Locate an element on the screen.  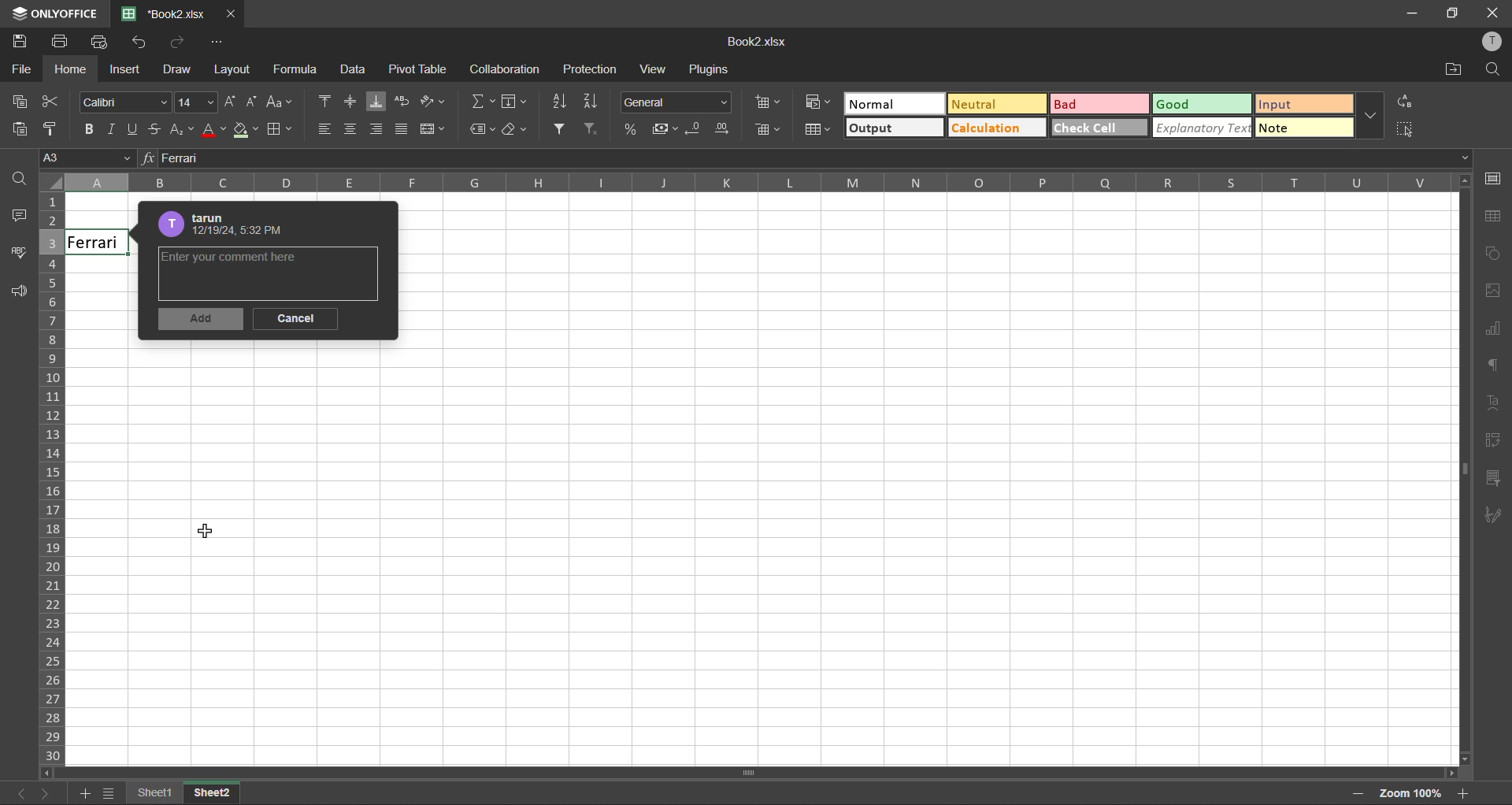
explanatory text is located at coordinates (1203, 129).